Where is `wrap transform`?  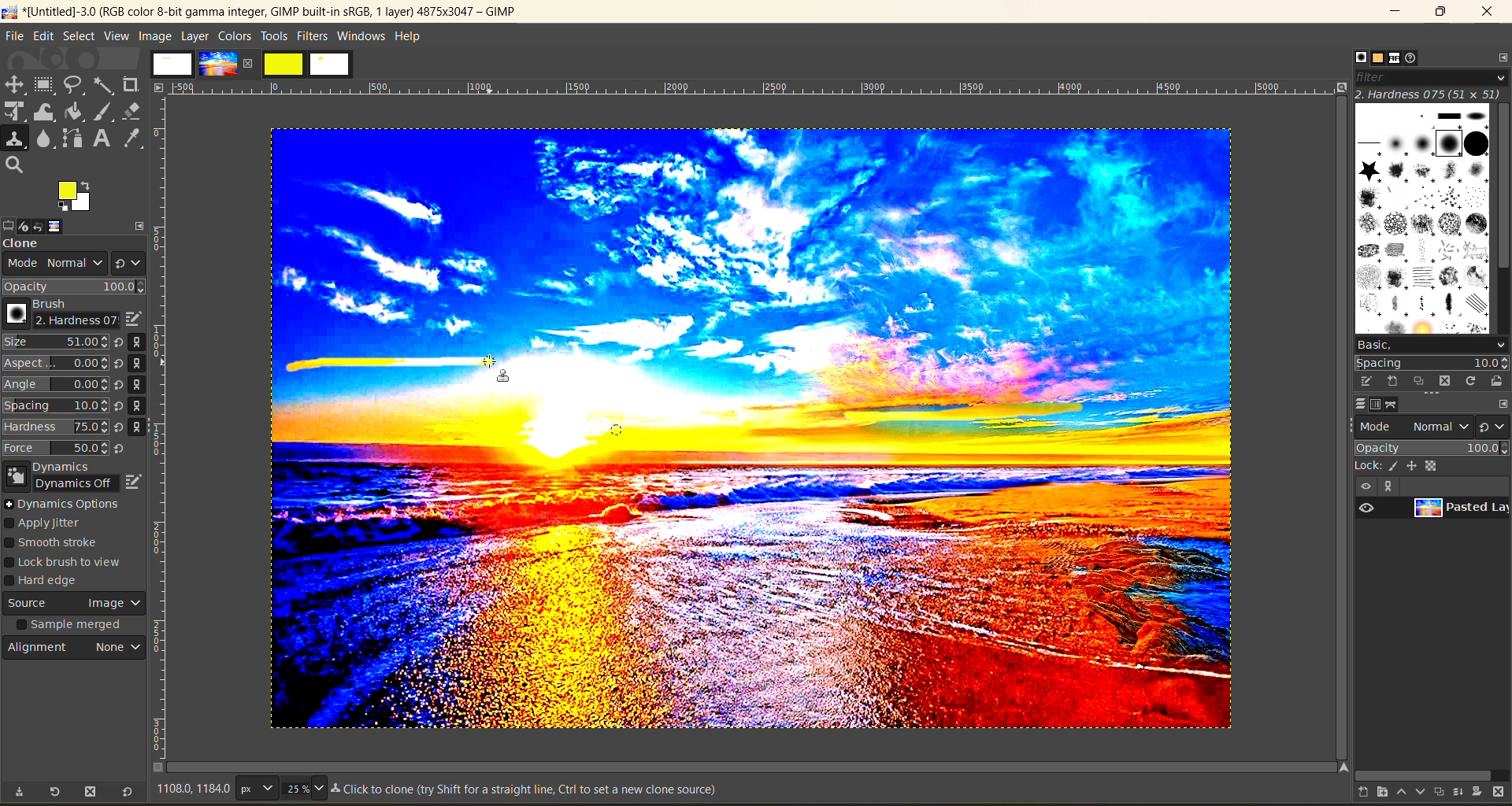
wrap transform is located at coordinates (46, 113).